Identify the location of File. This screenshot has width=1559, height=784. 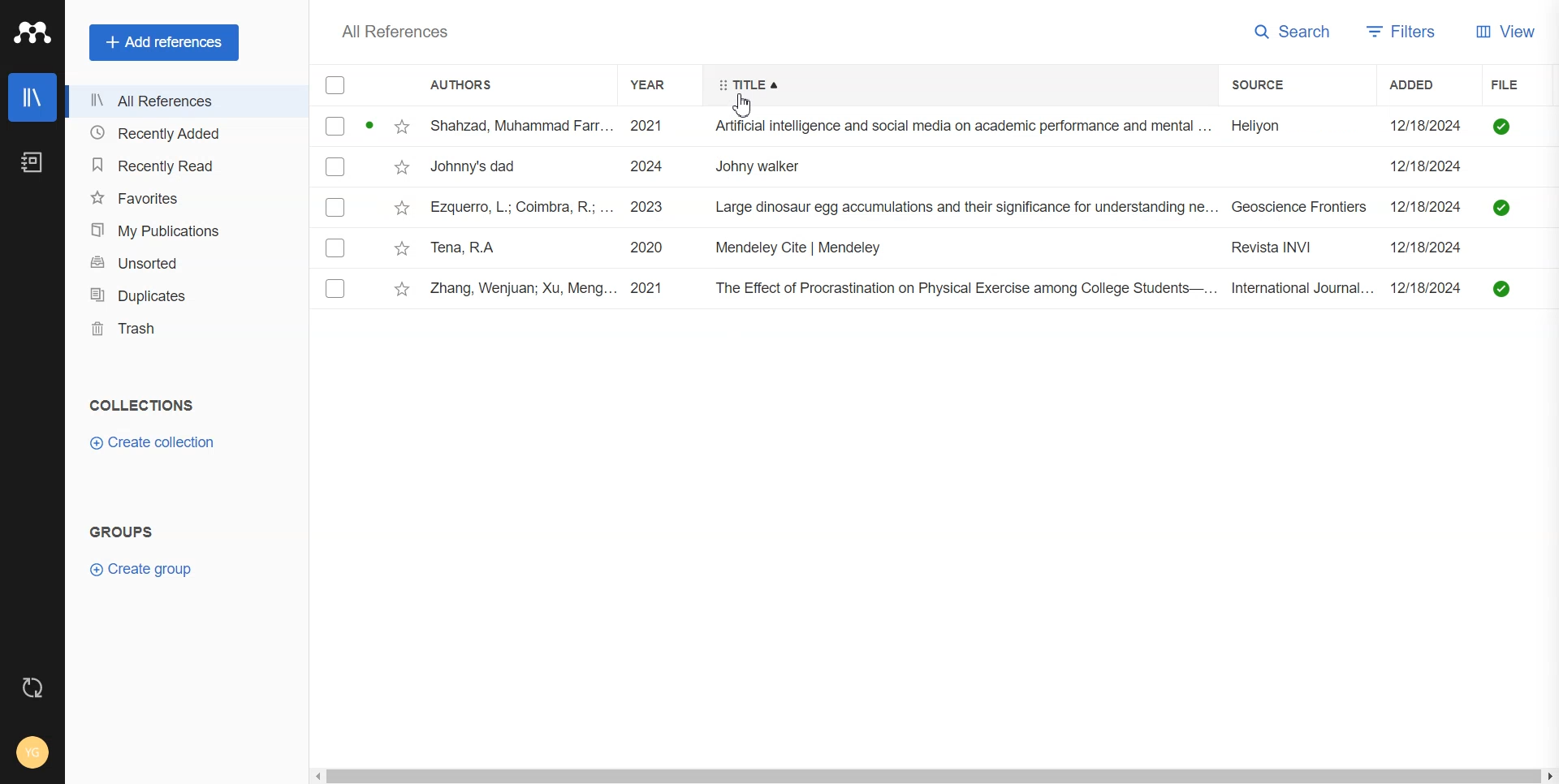
(993, 167).